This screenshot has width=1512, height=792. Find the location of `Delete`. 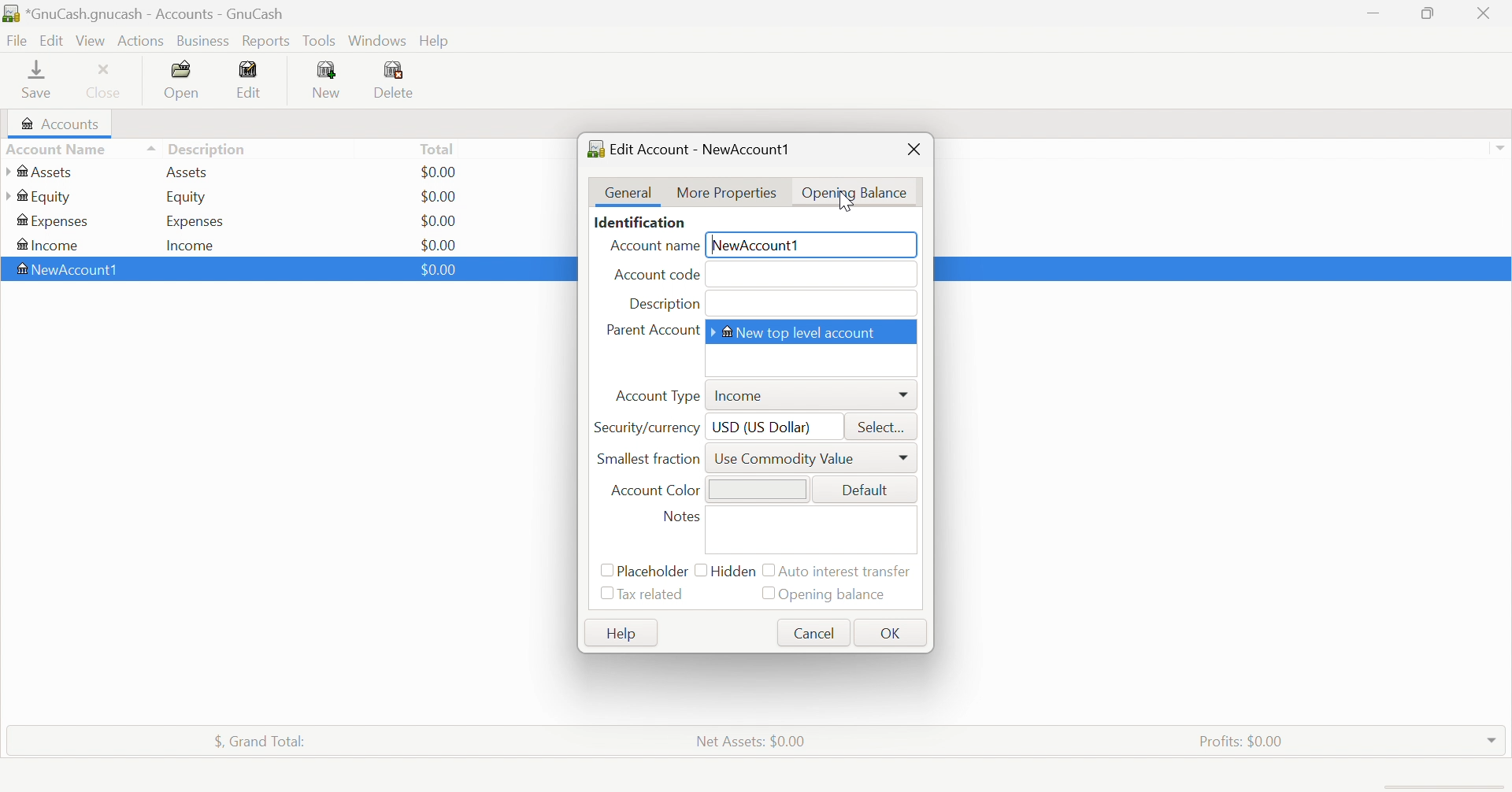

Delete is located at coordinates (405, 80).